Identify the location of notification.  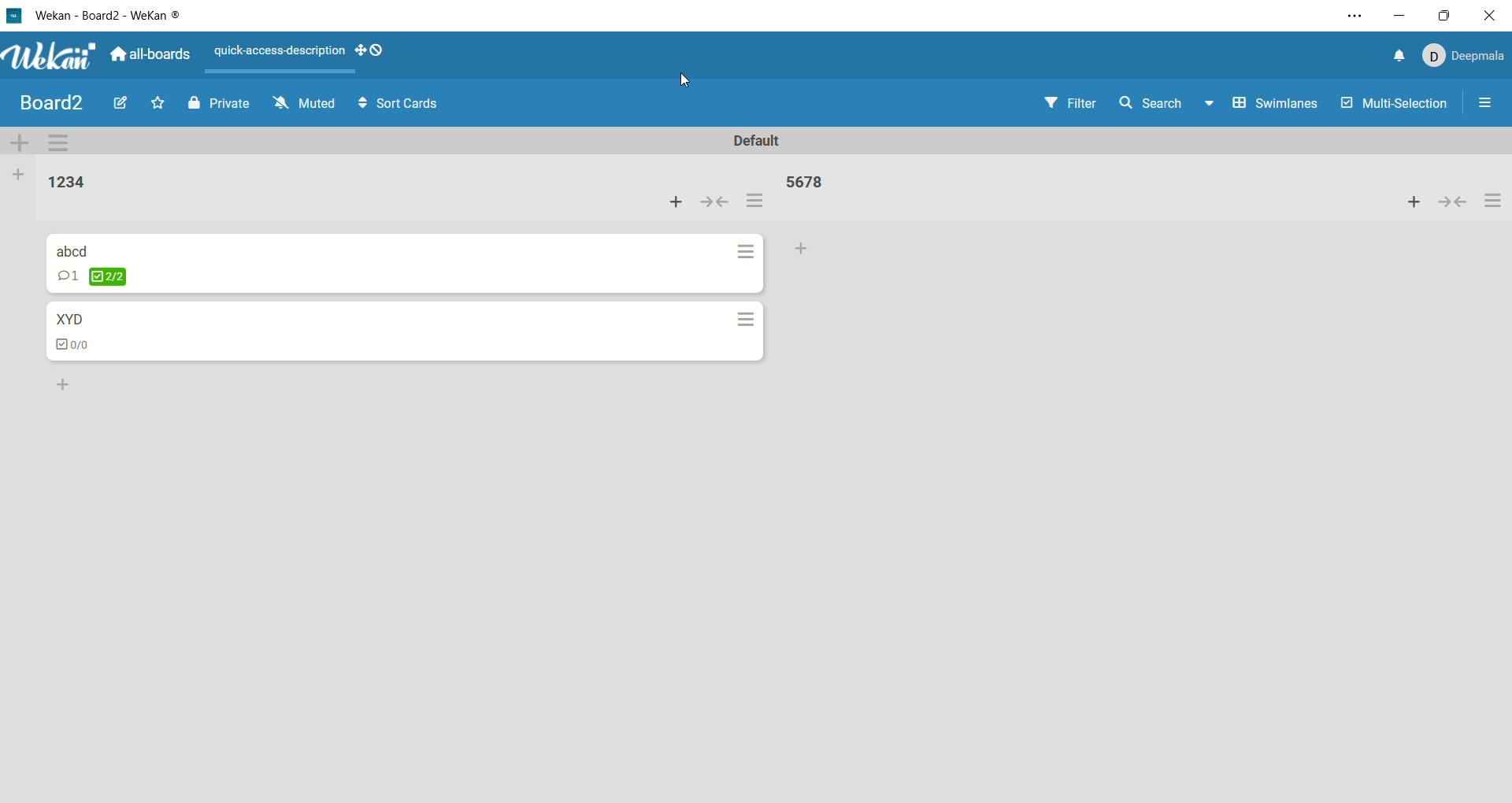
(1398, 57).